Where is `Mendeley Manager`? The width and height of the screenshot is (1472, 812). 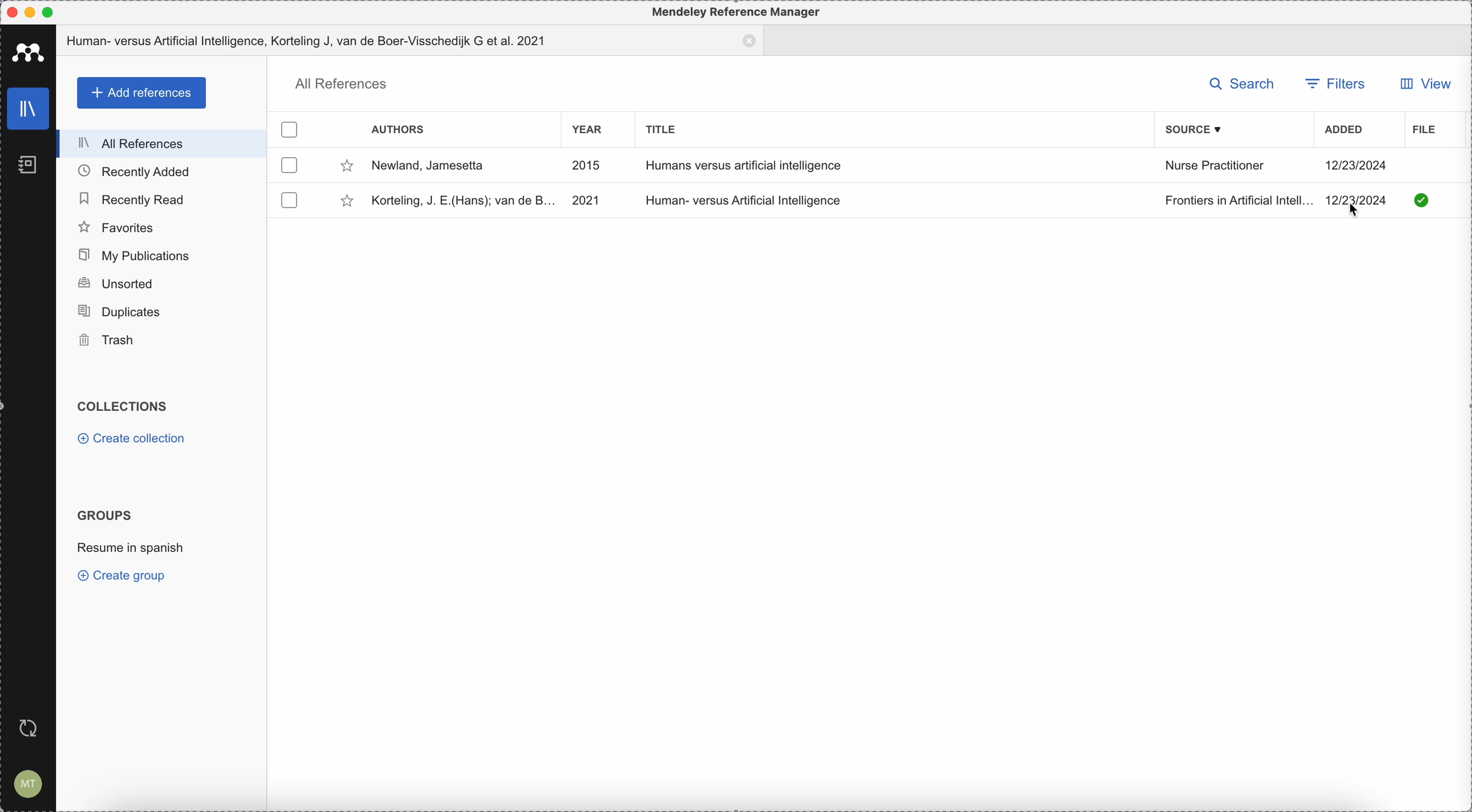
Mendeley Manager is located at coordinates (738, 13).